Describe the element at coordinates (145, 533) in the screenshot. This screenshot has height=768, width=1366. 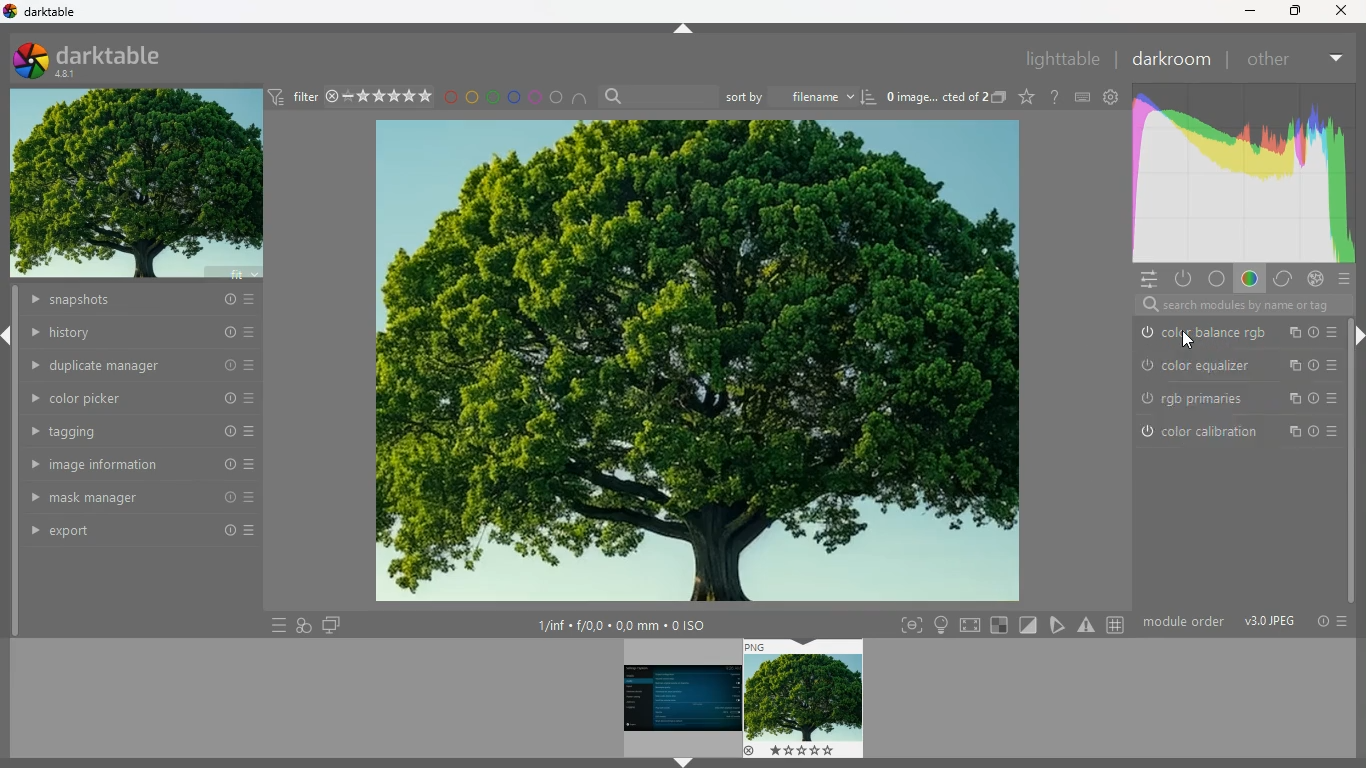
I see `export` at that location.